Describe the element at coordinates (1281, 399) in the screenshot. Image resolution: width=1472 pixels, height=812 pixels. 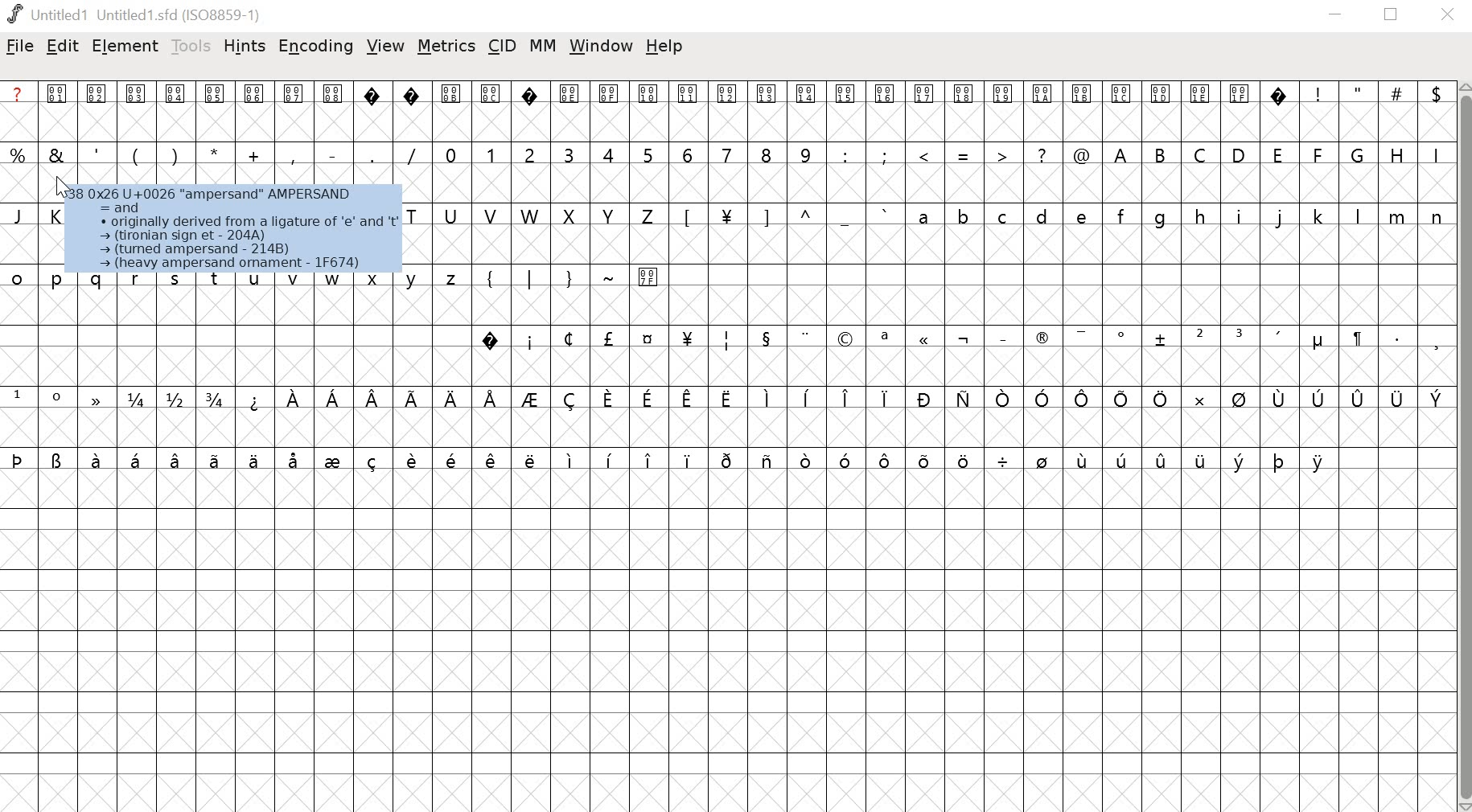
I see `symbol` at that location.